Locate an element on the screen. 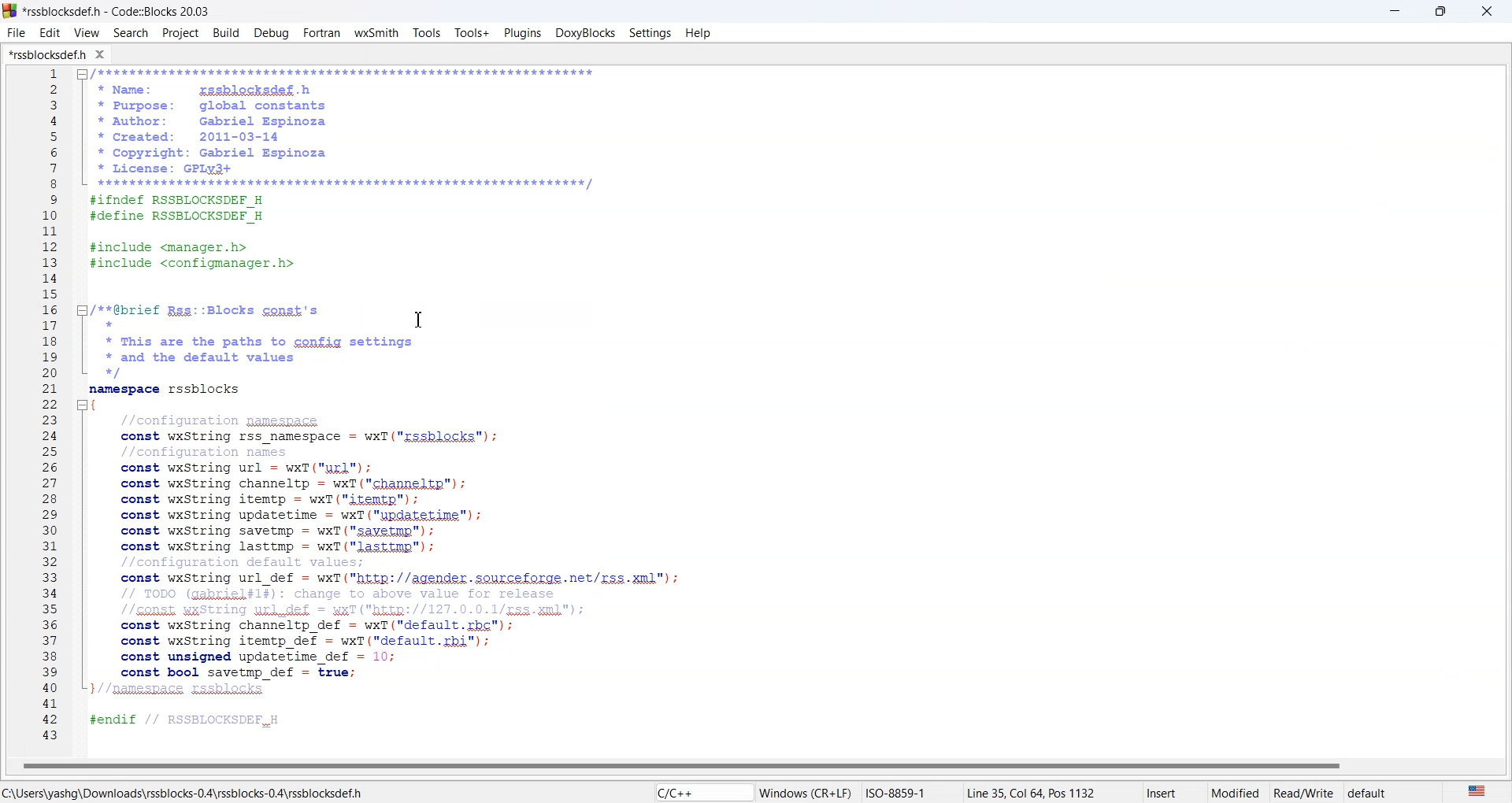 The width and height of the screenshot is (1512, 803). Modified is located at coordinates (1237, 791).